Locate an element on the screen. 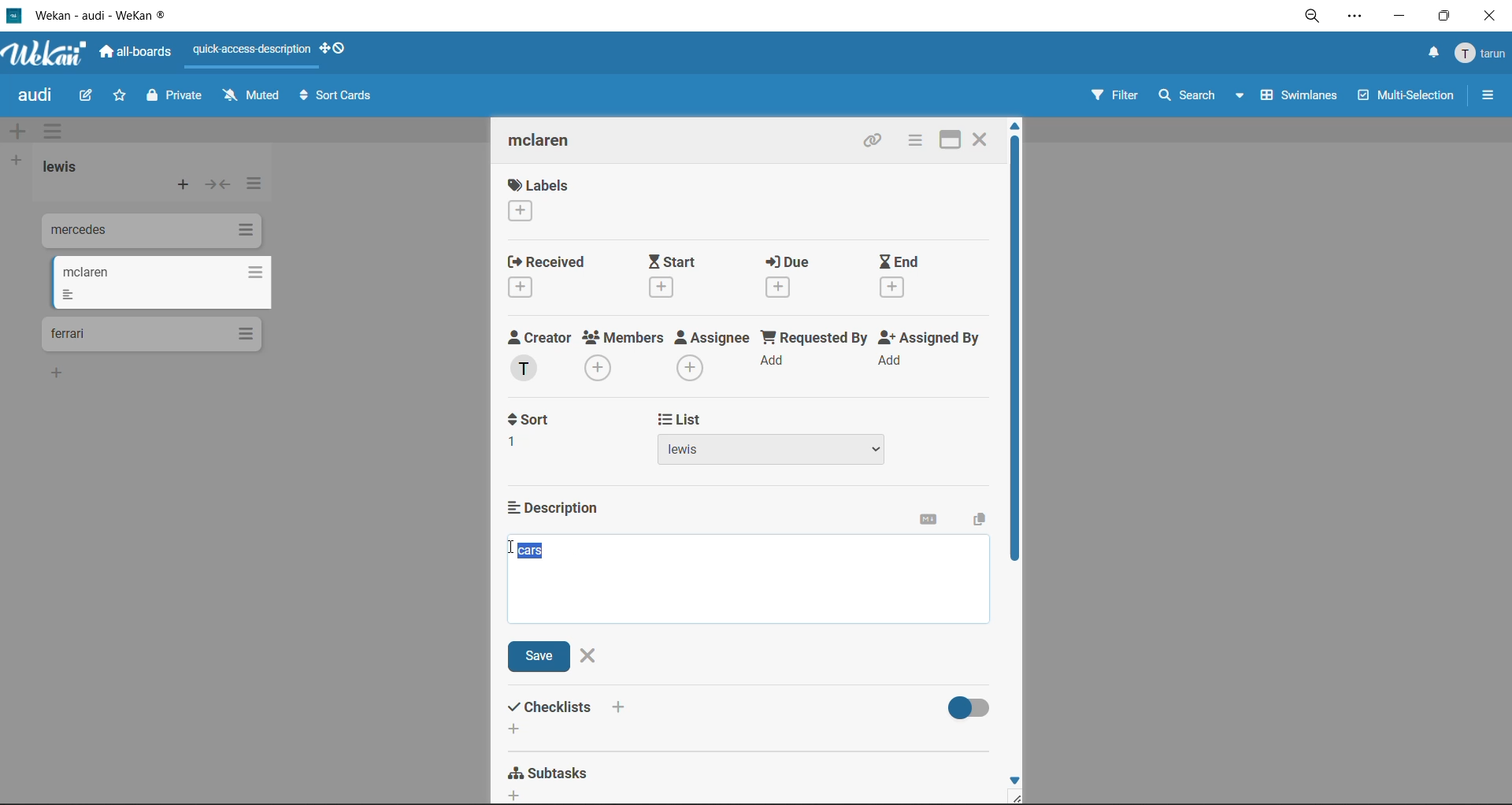  app title is located at coordinates (91, 15).